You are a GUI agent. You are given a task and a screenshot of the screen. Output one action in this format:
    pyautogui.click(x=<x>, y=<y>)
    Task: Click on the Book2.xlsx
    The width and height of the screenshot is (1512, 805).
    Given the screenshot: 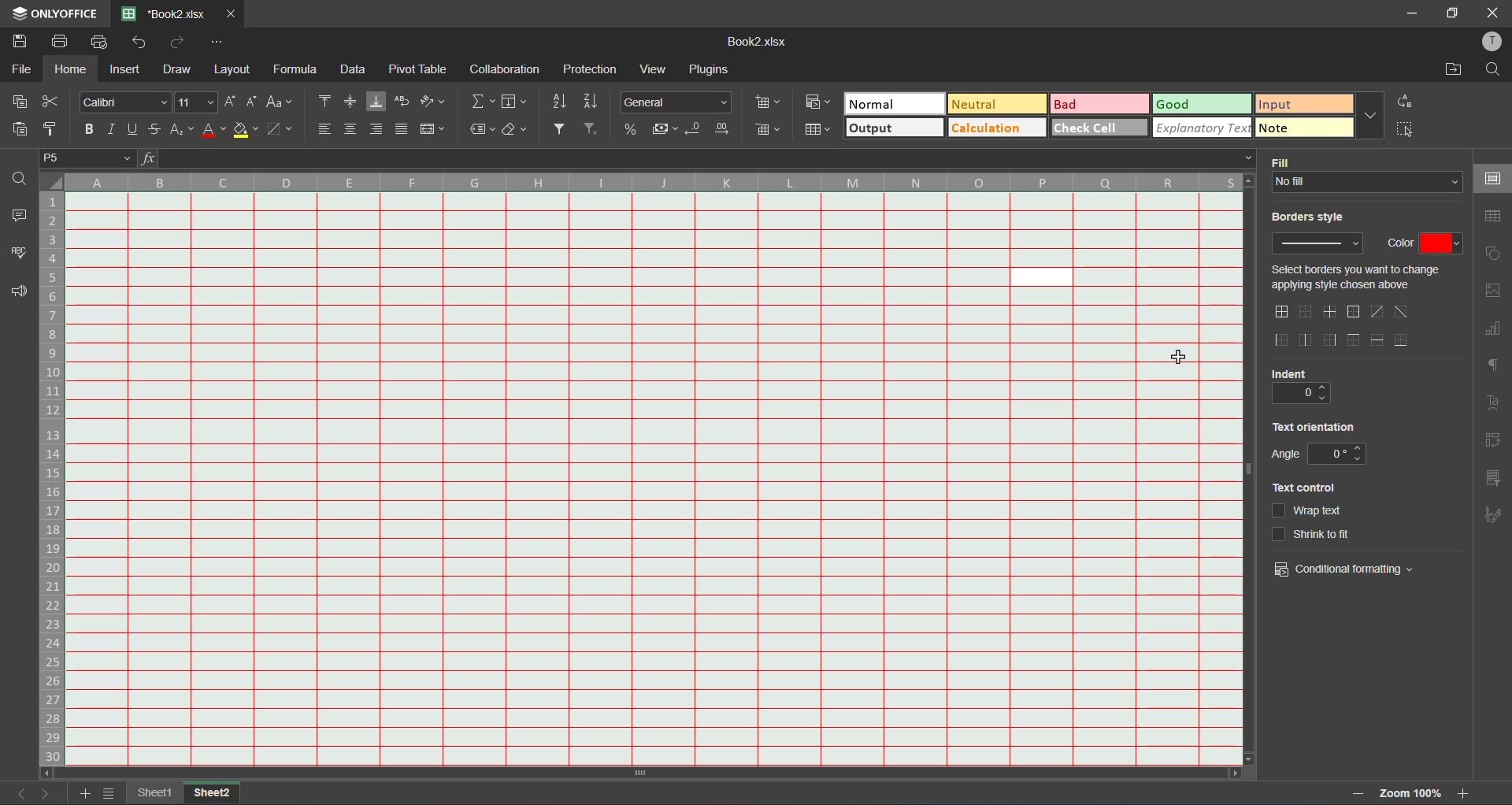 What is the action you would take?
    pyautogui.click(x=761, y=43)
    